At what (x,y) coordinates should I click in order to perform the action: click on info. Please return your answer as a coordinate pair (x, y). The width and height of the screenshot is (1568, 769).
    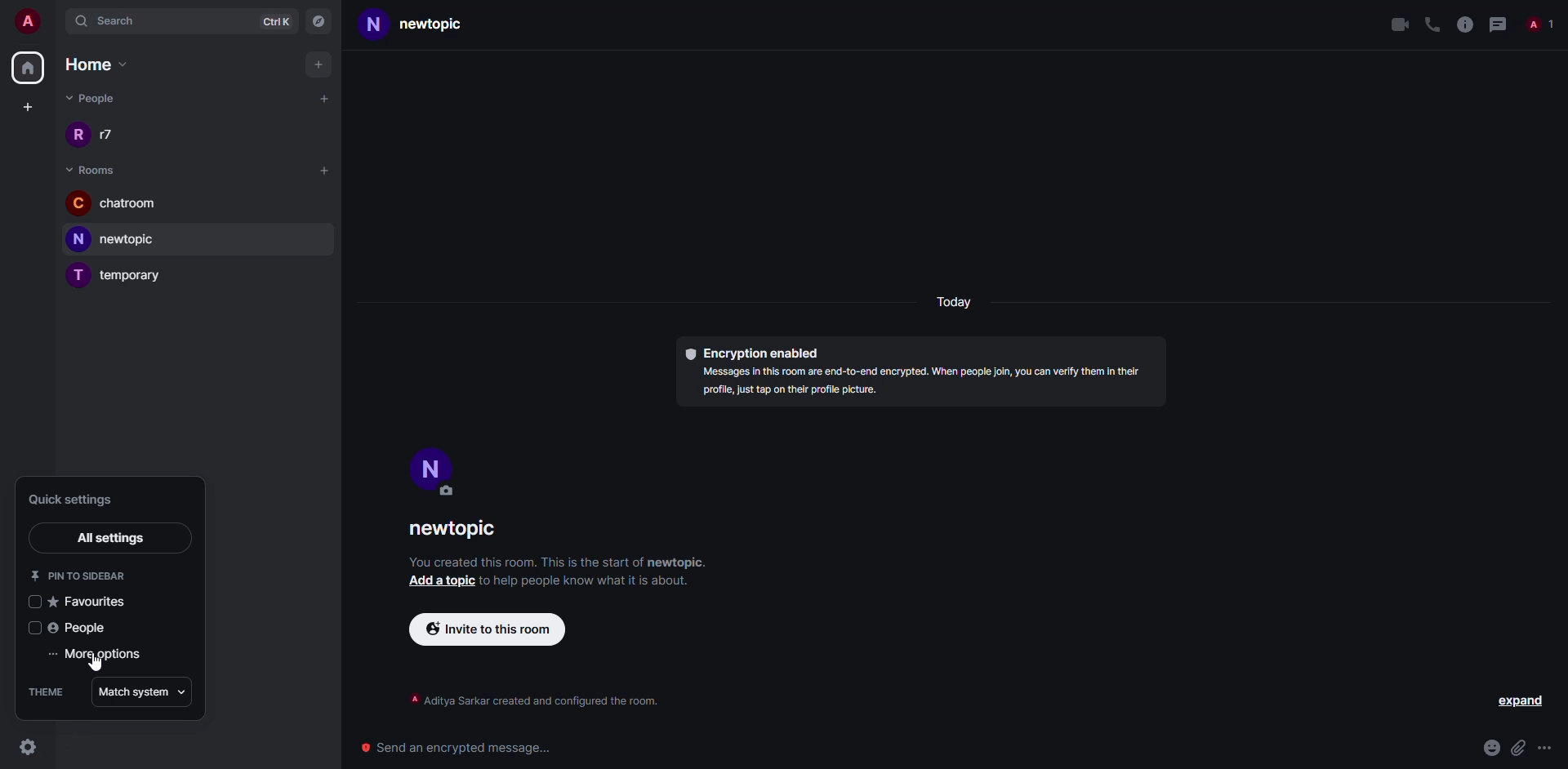
    Looking at the image, I should click on (537, 698).